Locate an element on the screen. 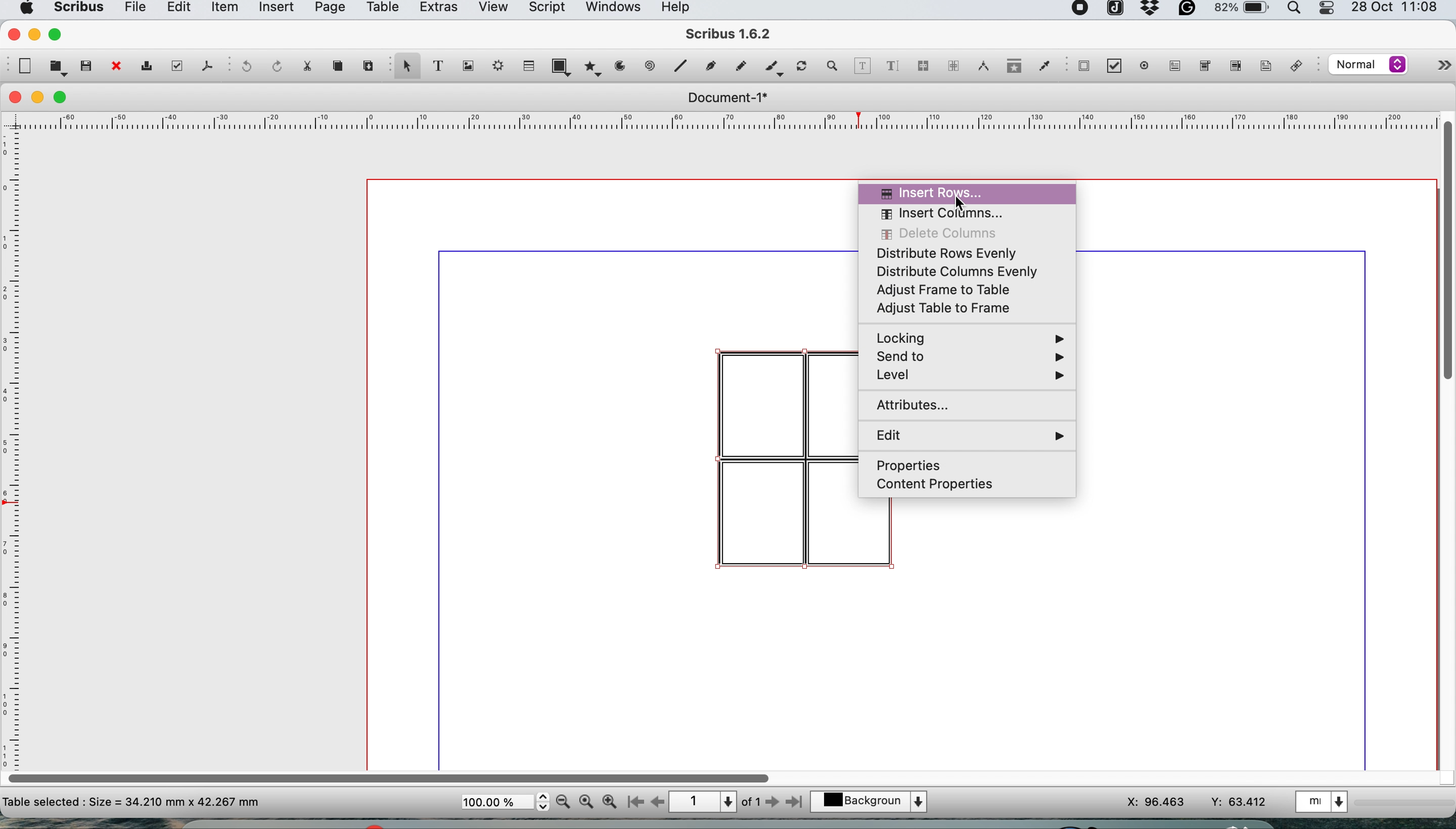 This screenshot has width=1456, height=829. distribute columns evenly is located at coordinates (955, 271).